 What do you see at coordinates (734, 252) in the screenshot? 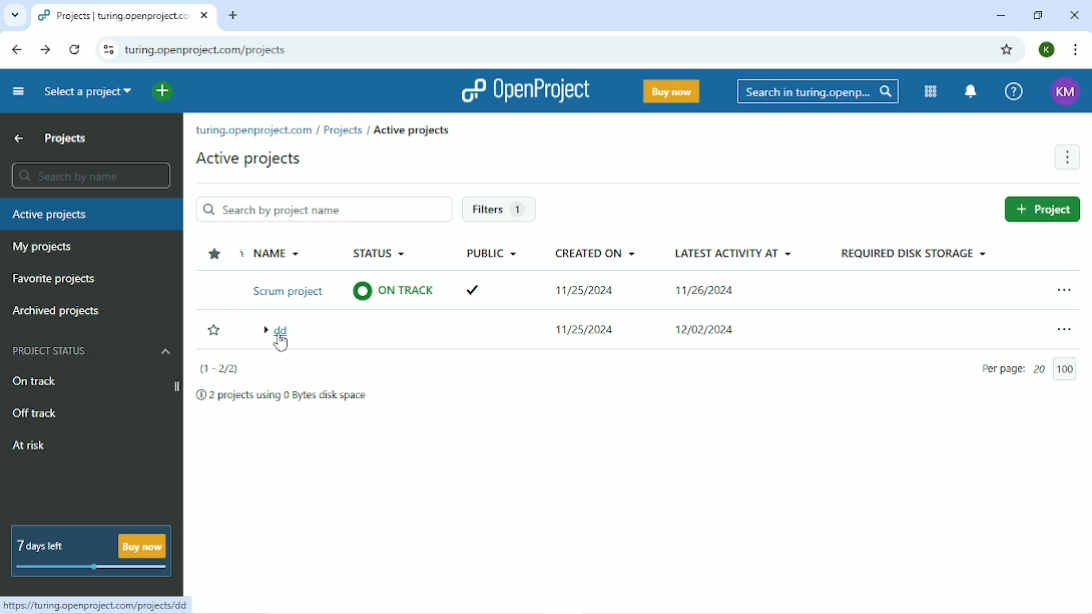
I see `Latest activity at` at bounding box center [734, 252].